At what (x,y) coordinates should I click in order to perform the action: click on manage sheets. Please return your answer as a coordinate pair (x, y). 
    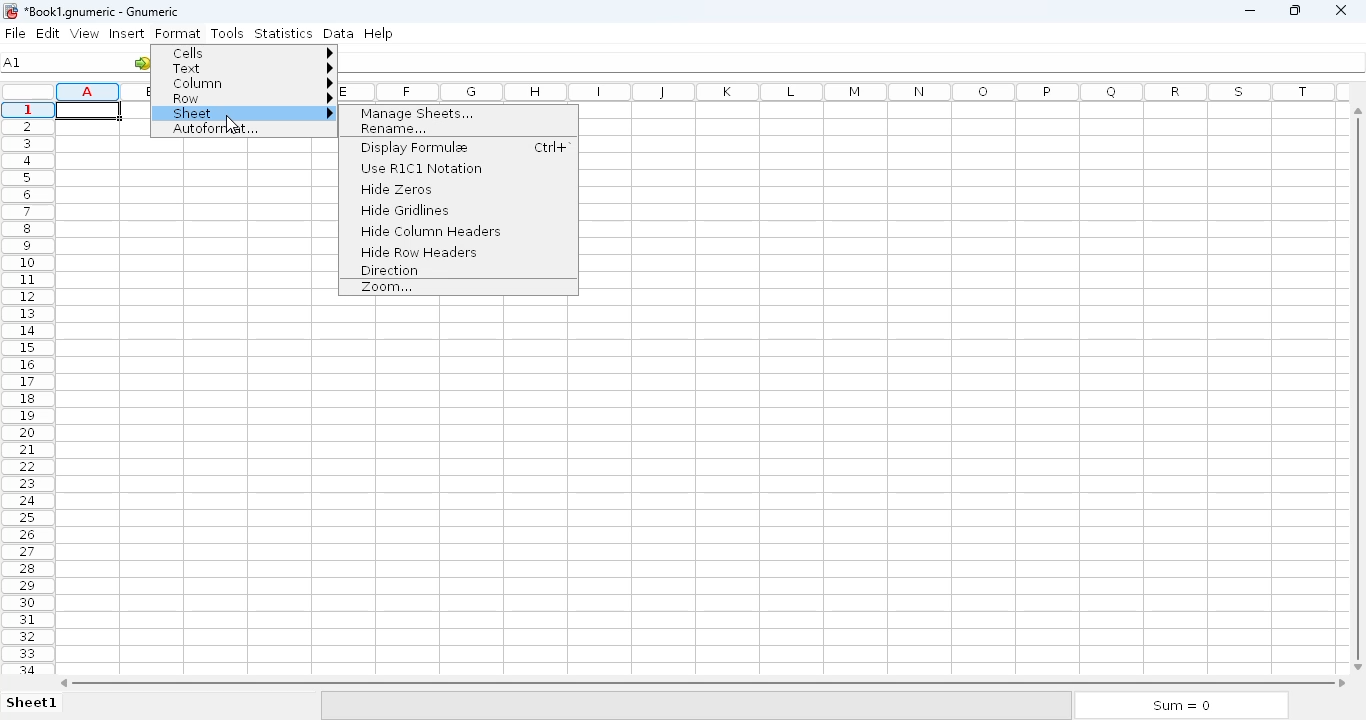
    Looking at the image, I should click on (416, 114).